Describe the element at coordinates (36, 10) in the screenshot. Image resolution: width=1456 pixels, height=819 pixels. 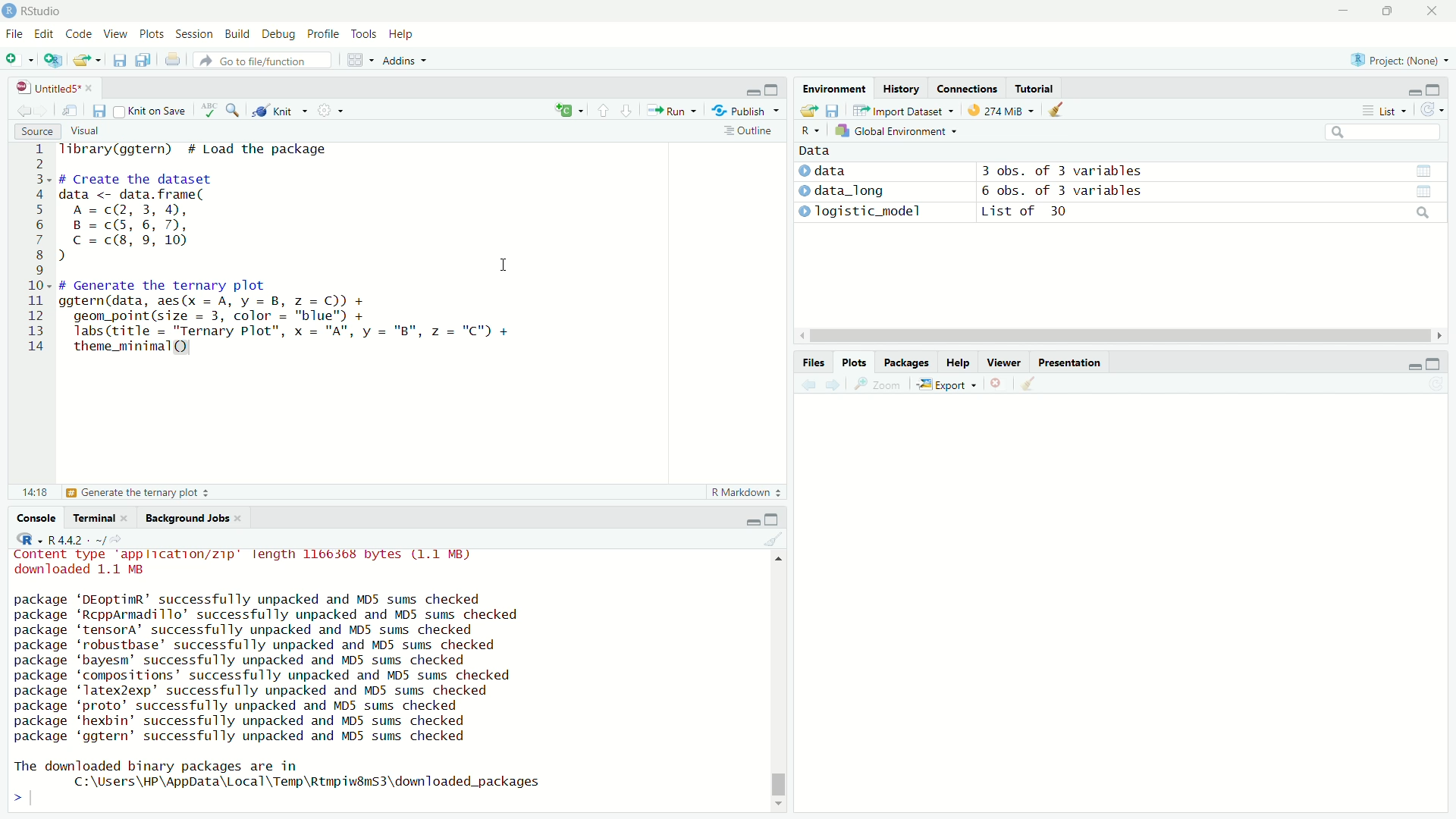
I see `RStudio` at that location.